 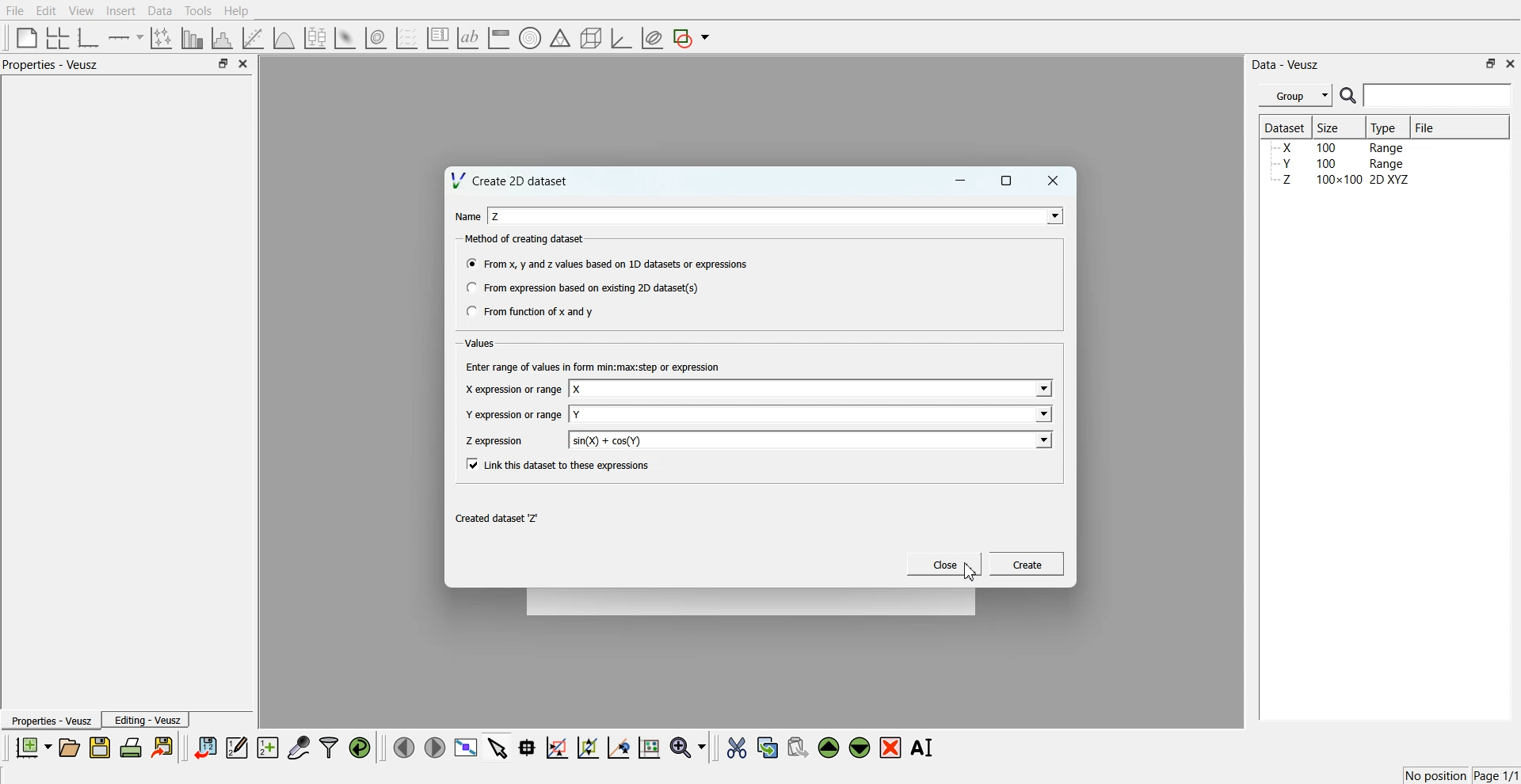 I want to click on File, so click(x=1427, y=127).